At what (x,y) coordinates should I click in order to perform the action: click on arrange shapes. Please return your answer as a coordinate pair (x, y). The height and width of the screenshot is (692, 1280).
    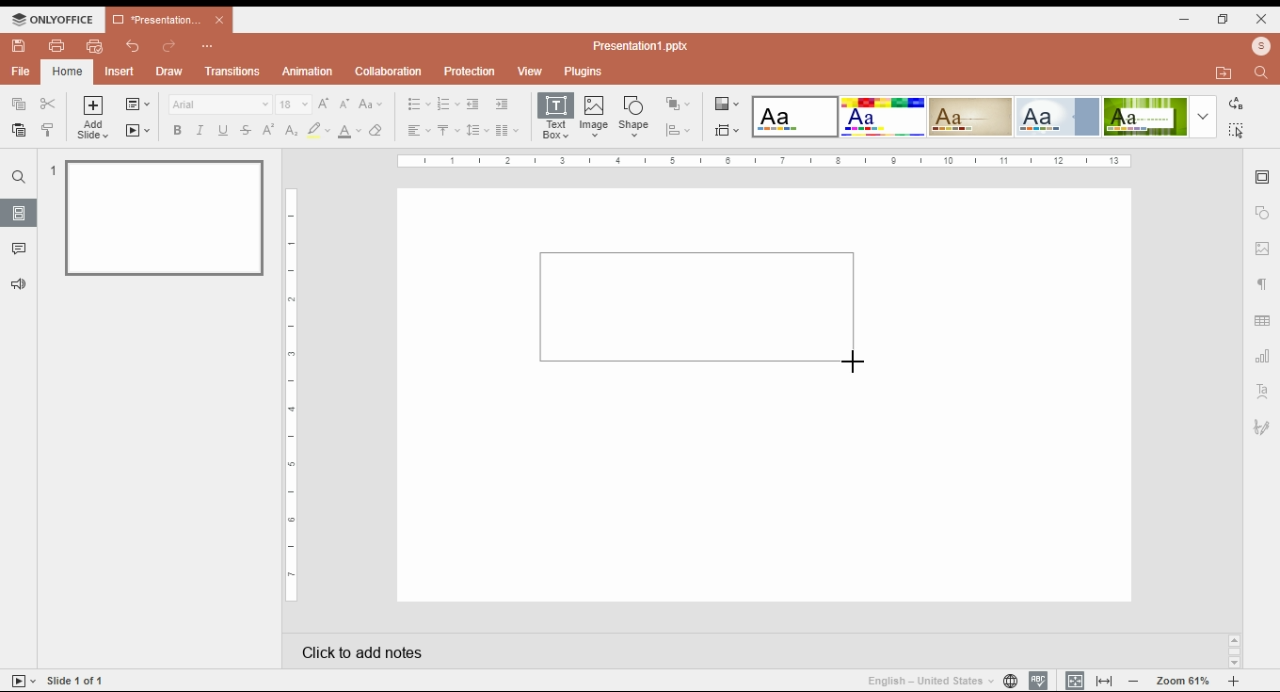
    Looking at the image, I should click on (679, 103).